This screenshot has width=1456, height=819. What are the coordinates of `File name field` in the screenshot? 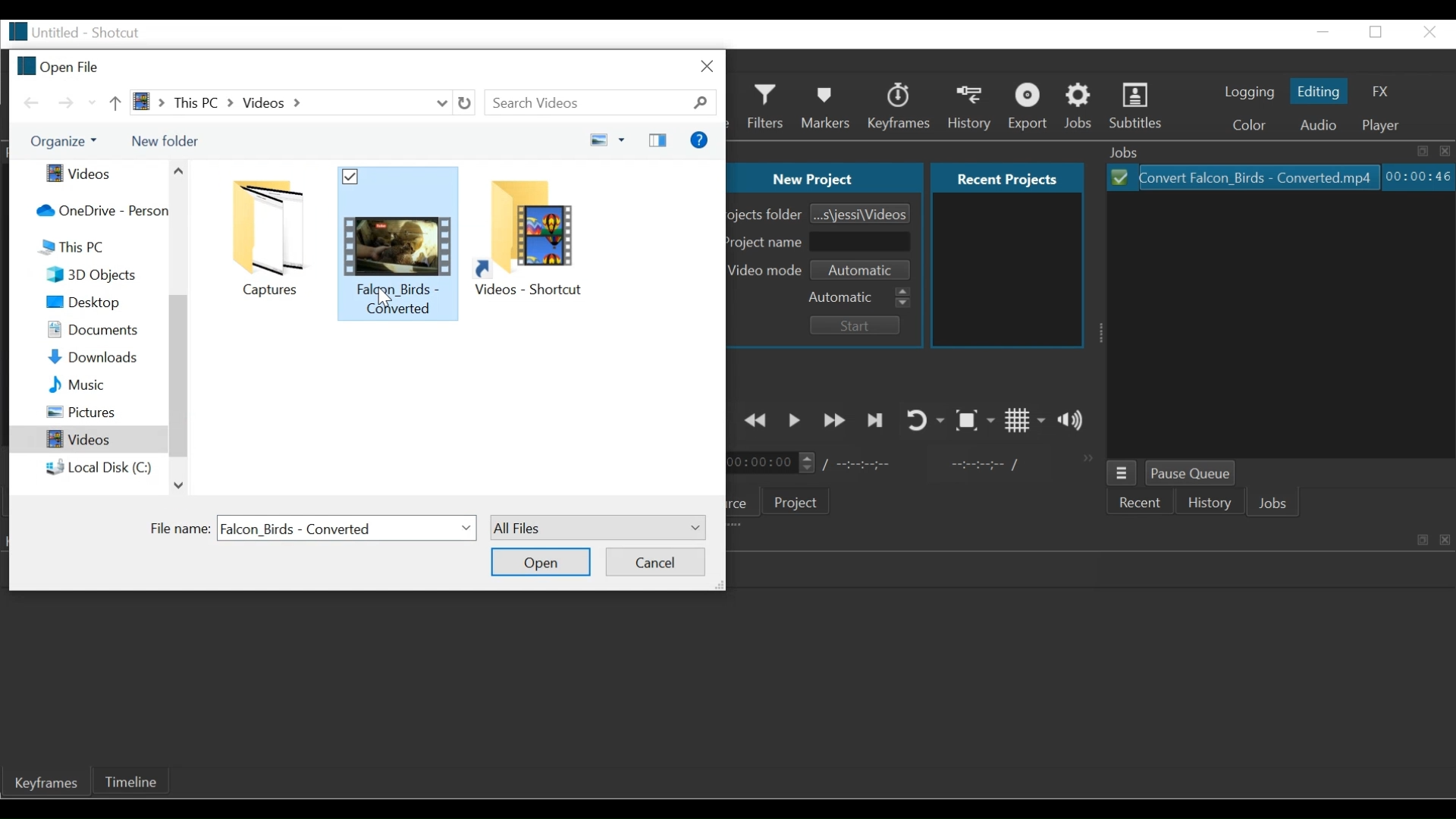 It's located at (347, 528).